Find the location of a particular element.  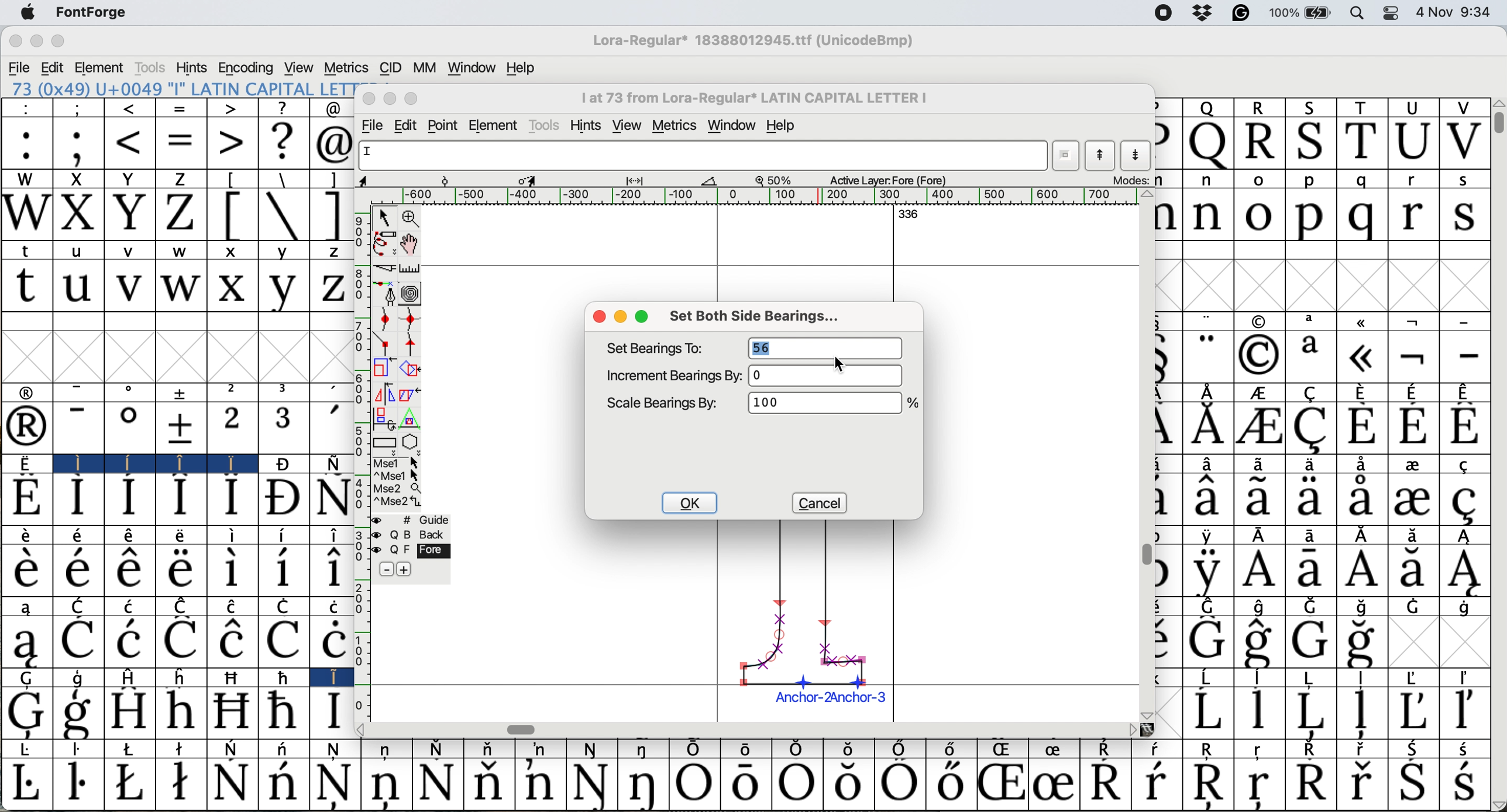

Symbol is located at coordinates (1312, 499).